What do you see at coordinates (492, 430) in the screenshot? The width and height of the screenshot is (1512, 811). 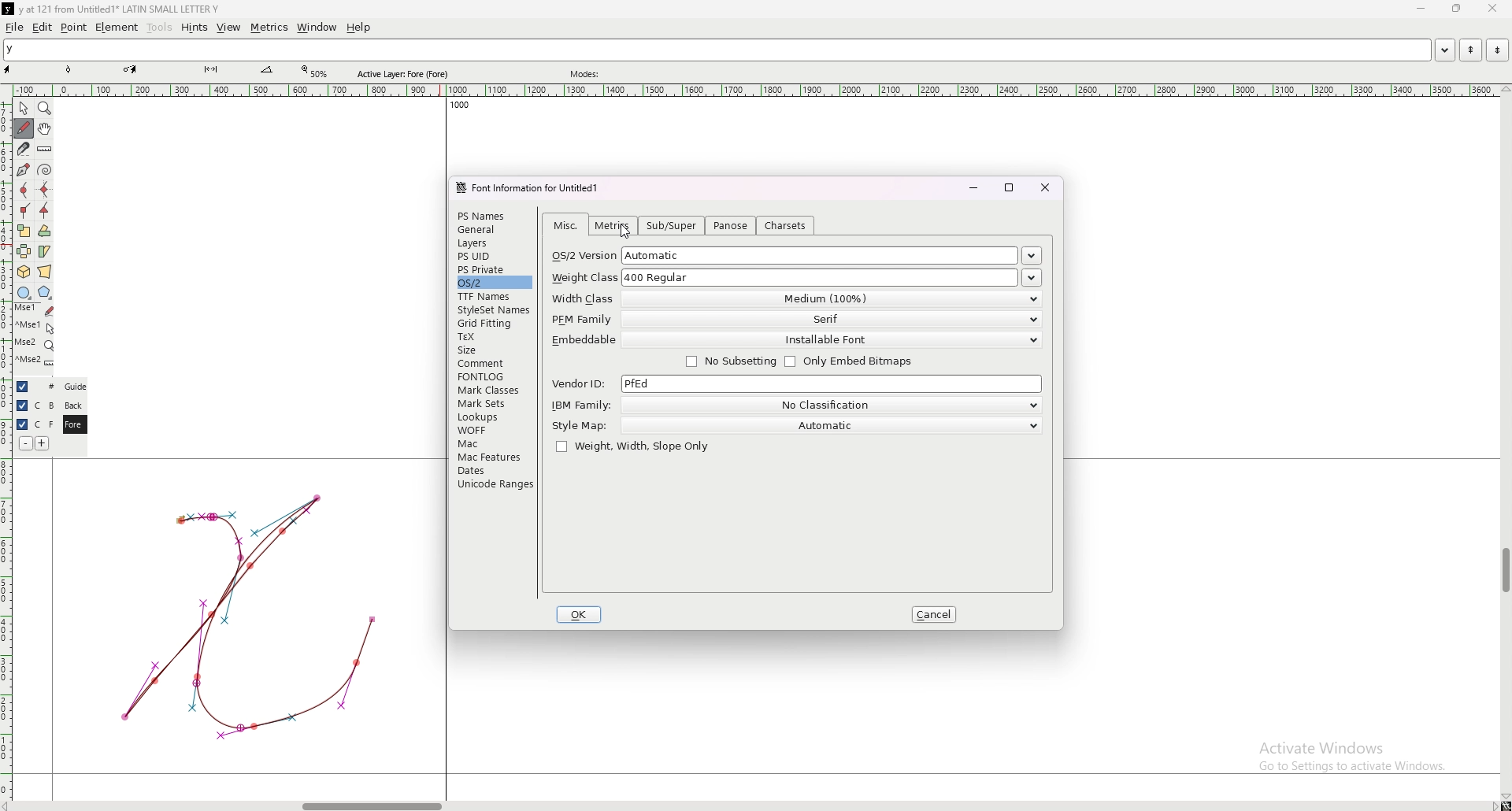 I see `woff` at bounding box center [492, 430].